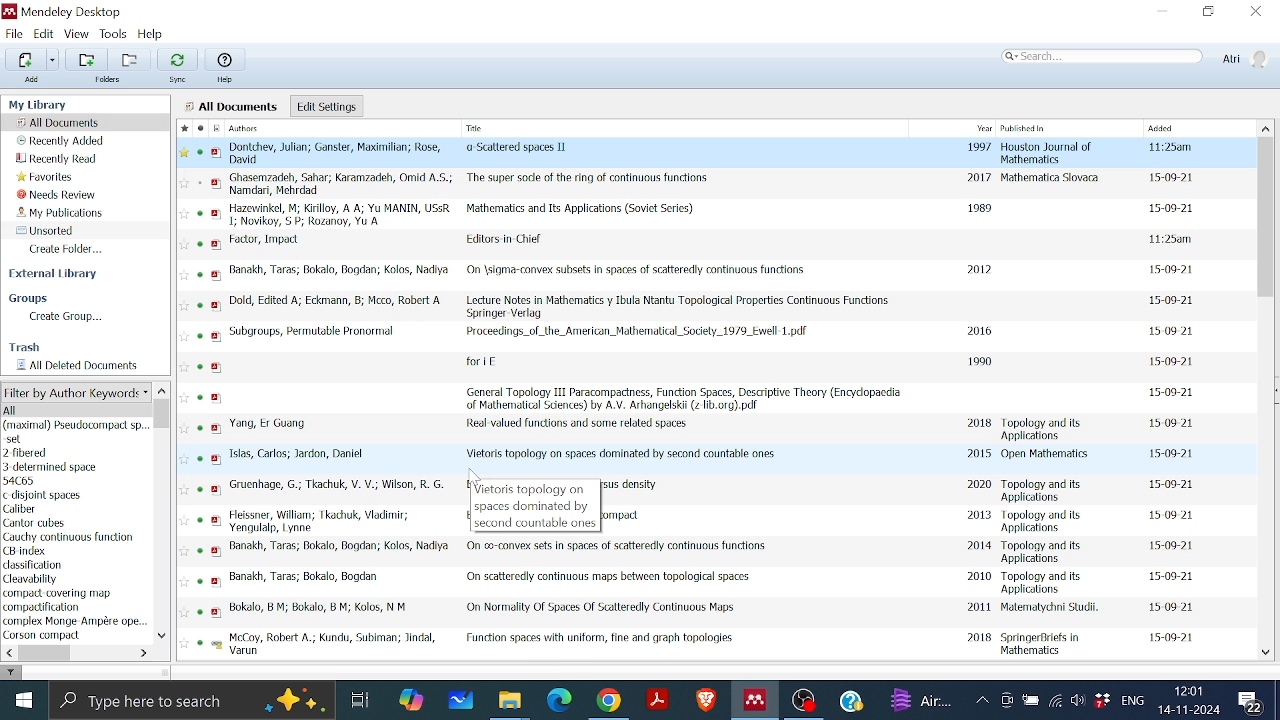  Describe the element at coordinates (1168, 360) in the screenshot. I see `date` at that location.